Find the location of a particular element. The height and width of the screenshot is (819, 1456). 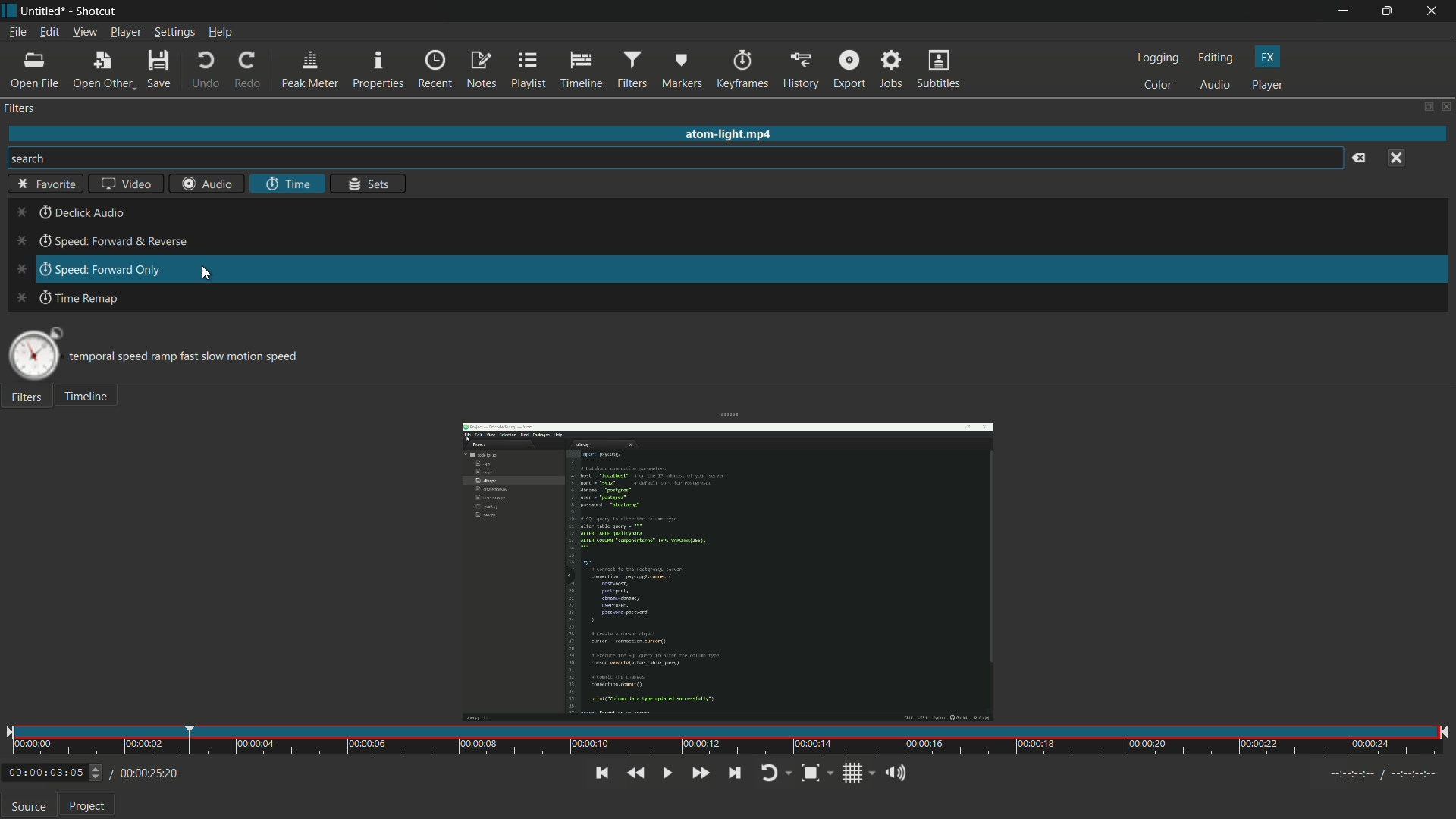

show grid is located at coordinates (858, 773).